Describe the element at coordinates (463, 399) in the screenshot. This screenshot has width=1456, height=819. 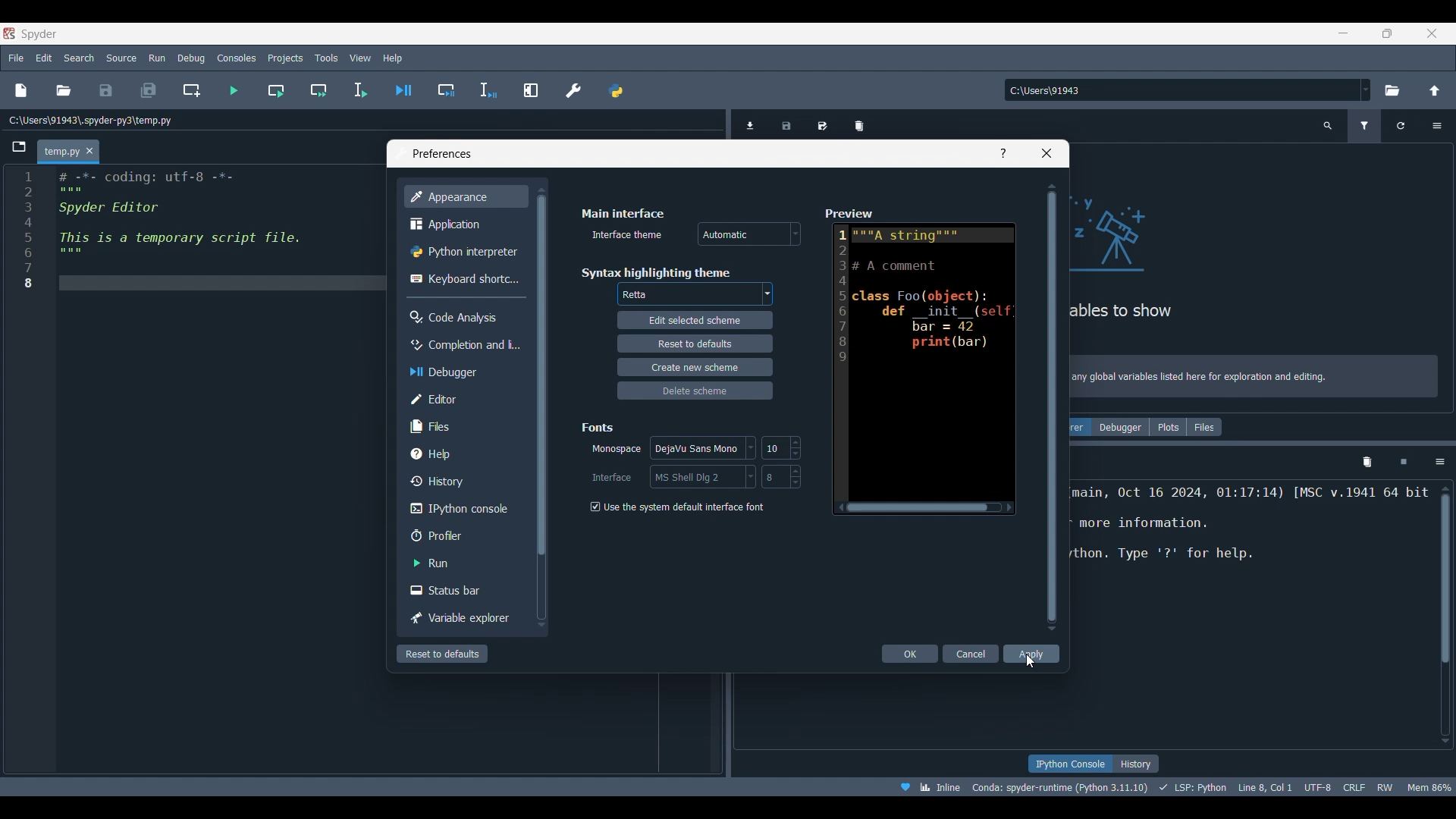
I see `Editor` at that location.